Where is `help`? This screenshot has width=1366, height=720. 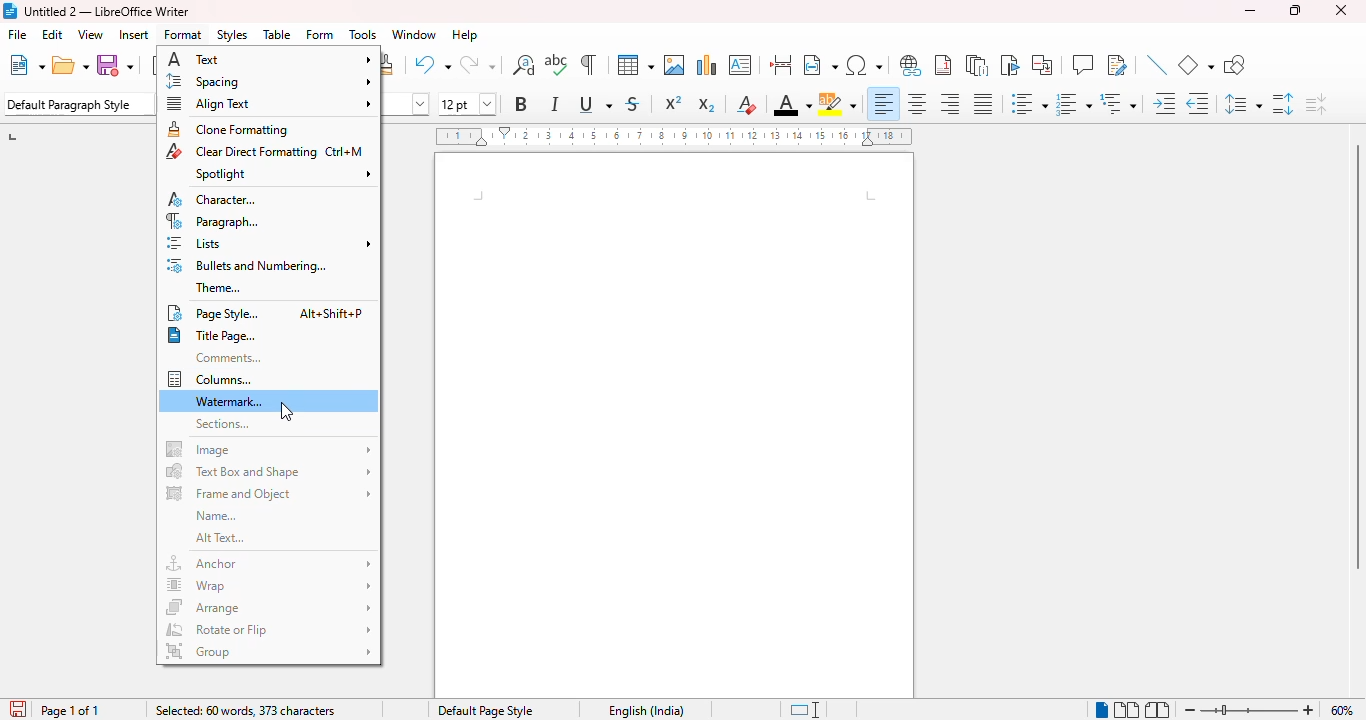 help is located at coordinates (465, 35).